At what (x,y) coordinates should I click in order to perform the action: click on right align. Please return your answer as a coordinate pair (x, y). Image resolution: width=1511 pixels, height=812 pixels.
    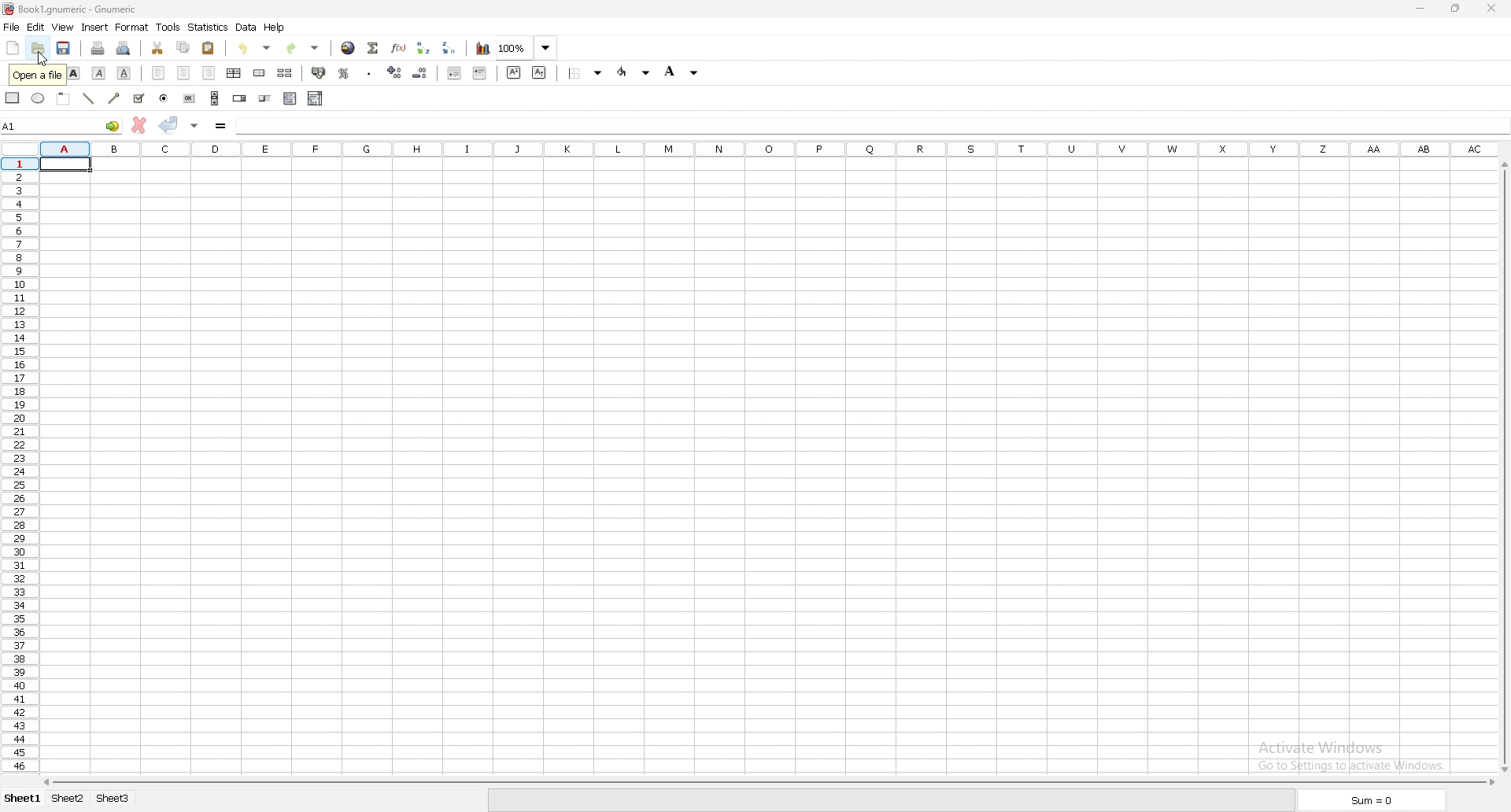
    Looking at the image, I should click on (209, 72).